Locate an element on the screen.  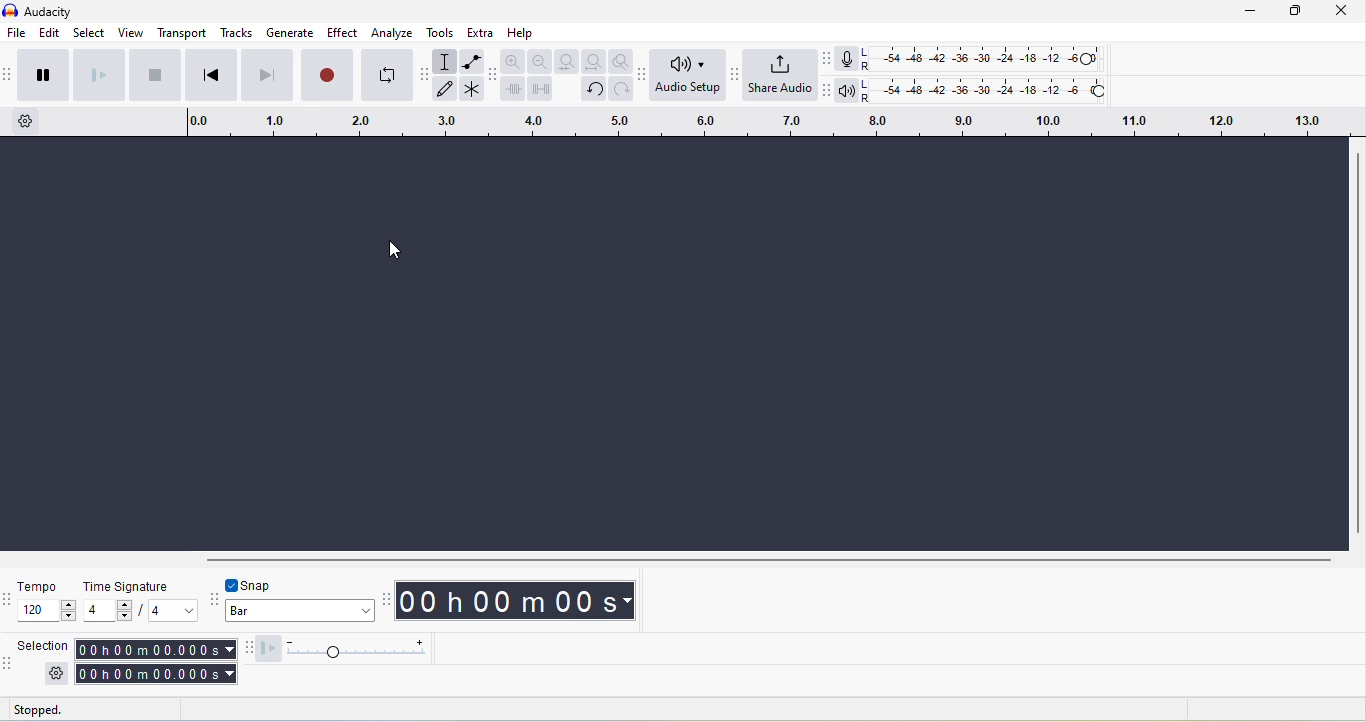
zoom toggle is located at coordinates (624, 61).